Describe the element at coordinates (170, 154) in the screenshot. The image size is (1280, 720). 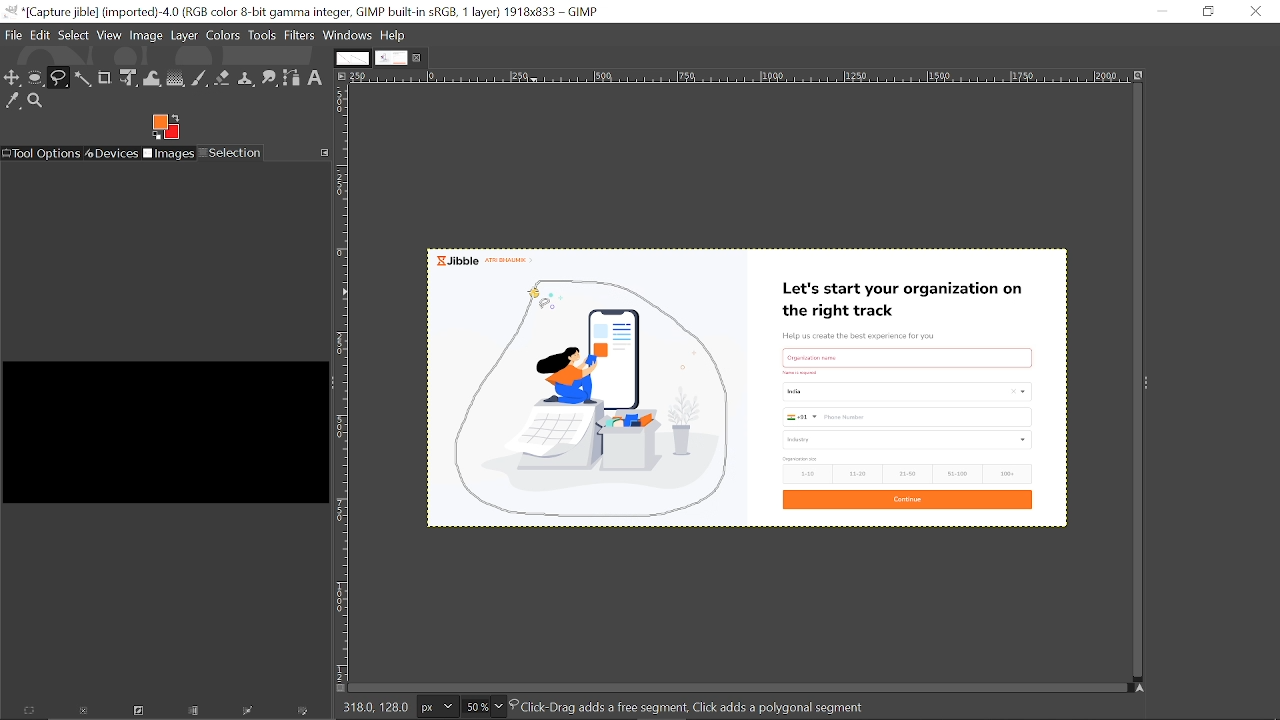
I see `Images` at that location.